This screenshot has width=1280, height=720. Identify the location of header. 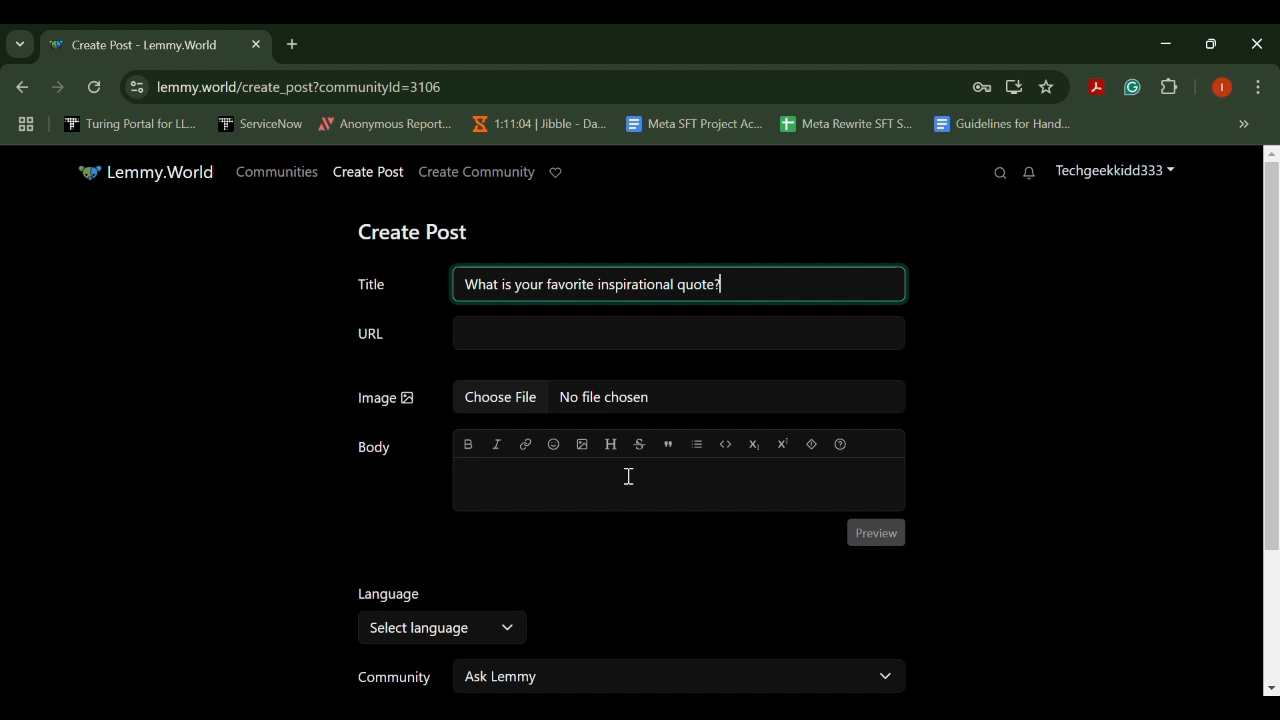
(610, 444).